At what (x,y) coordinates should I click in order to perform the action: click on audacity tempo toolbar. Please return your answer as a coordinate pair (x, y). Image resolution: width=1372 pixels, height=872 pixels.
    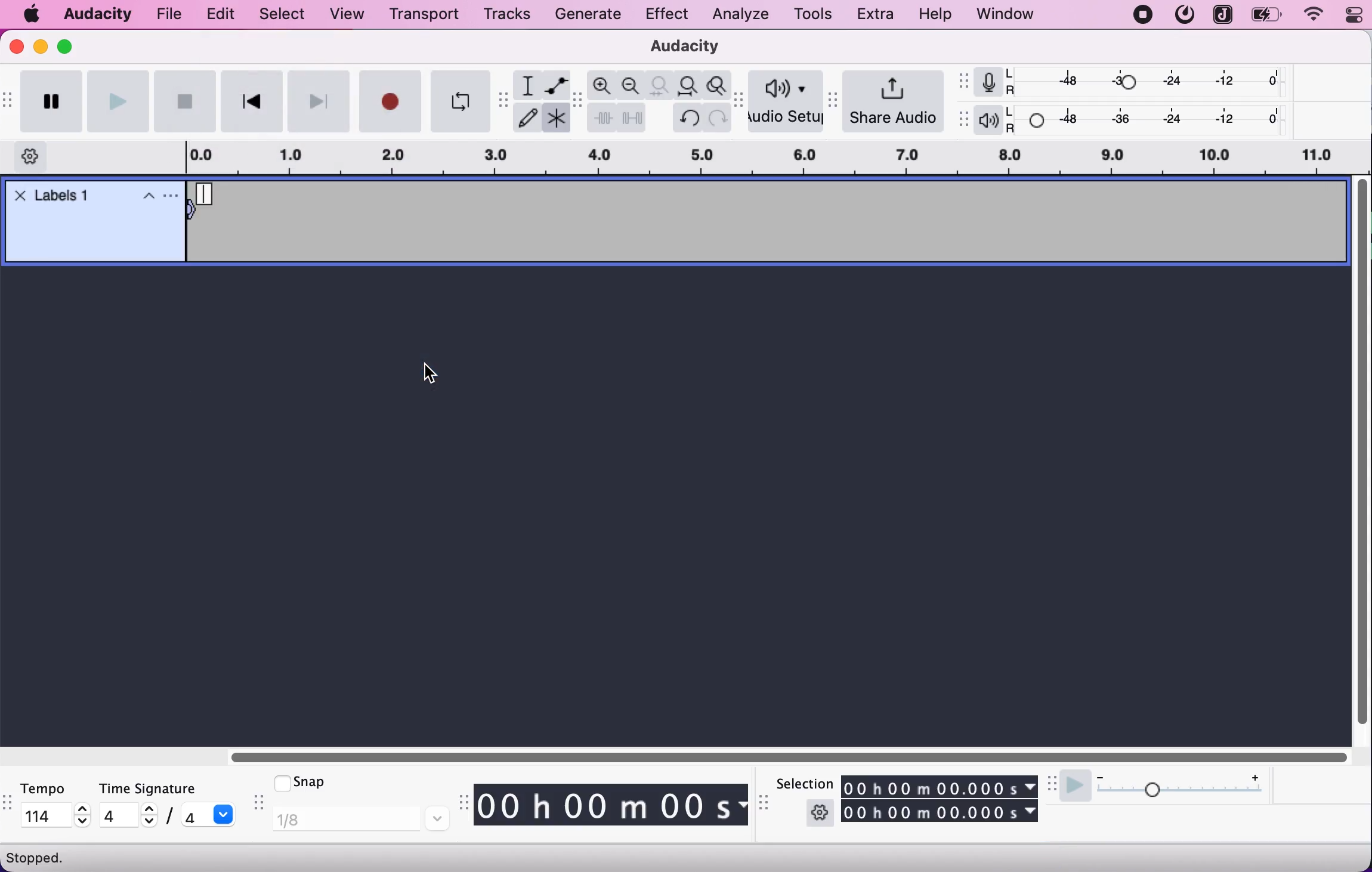
    Looking at the image, I should click on (8, 805).